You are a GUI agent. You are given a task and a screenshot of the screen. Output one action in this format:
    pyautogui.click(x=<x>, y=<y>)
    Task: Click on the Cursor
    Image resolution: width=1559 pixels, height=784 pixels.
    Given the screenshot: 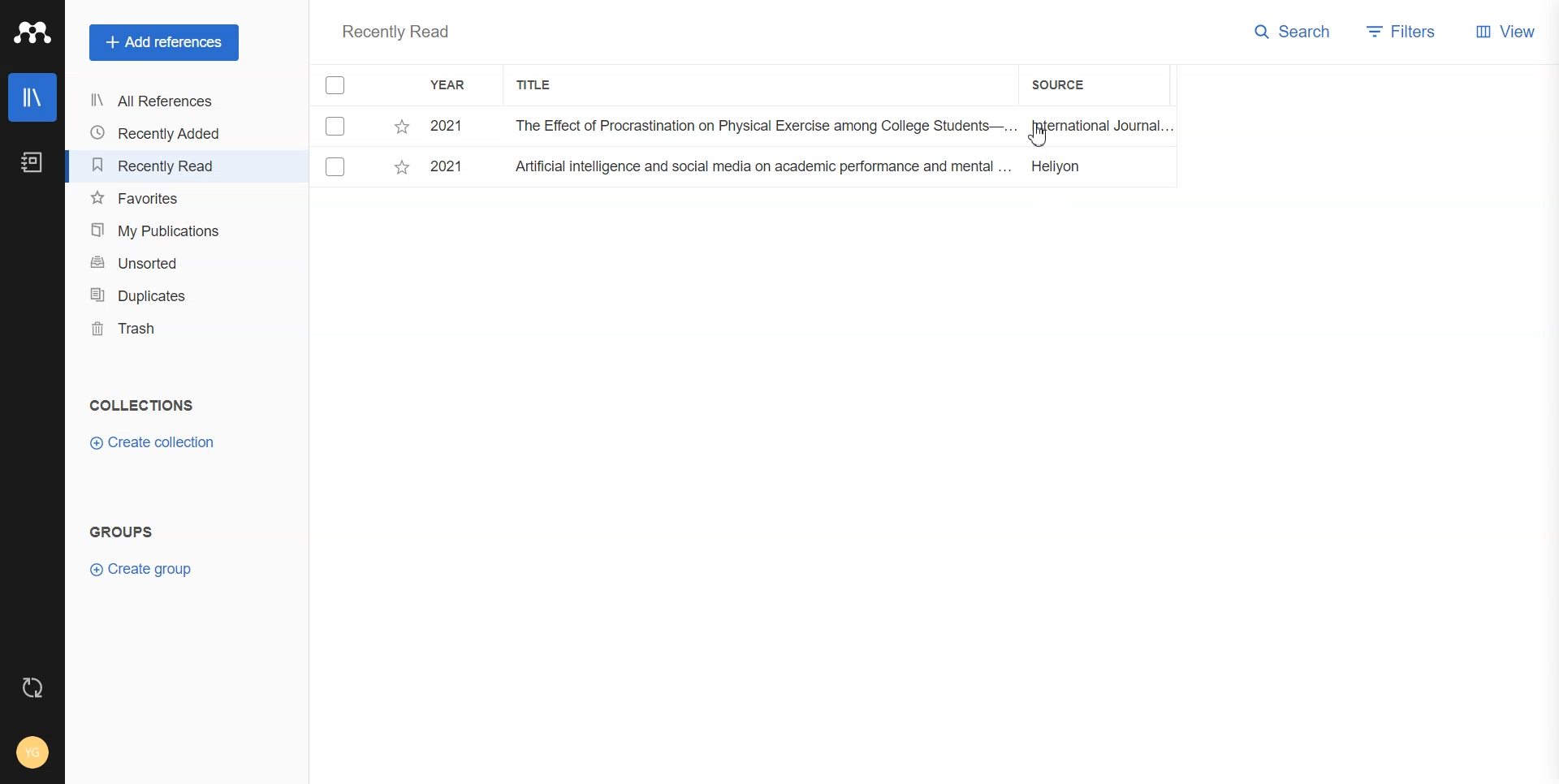 What is the action you would take?
    pyautogui.click(x=1035, y=140)
    